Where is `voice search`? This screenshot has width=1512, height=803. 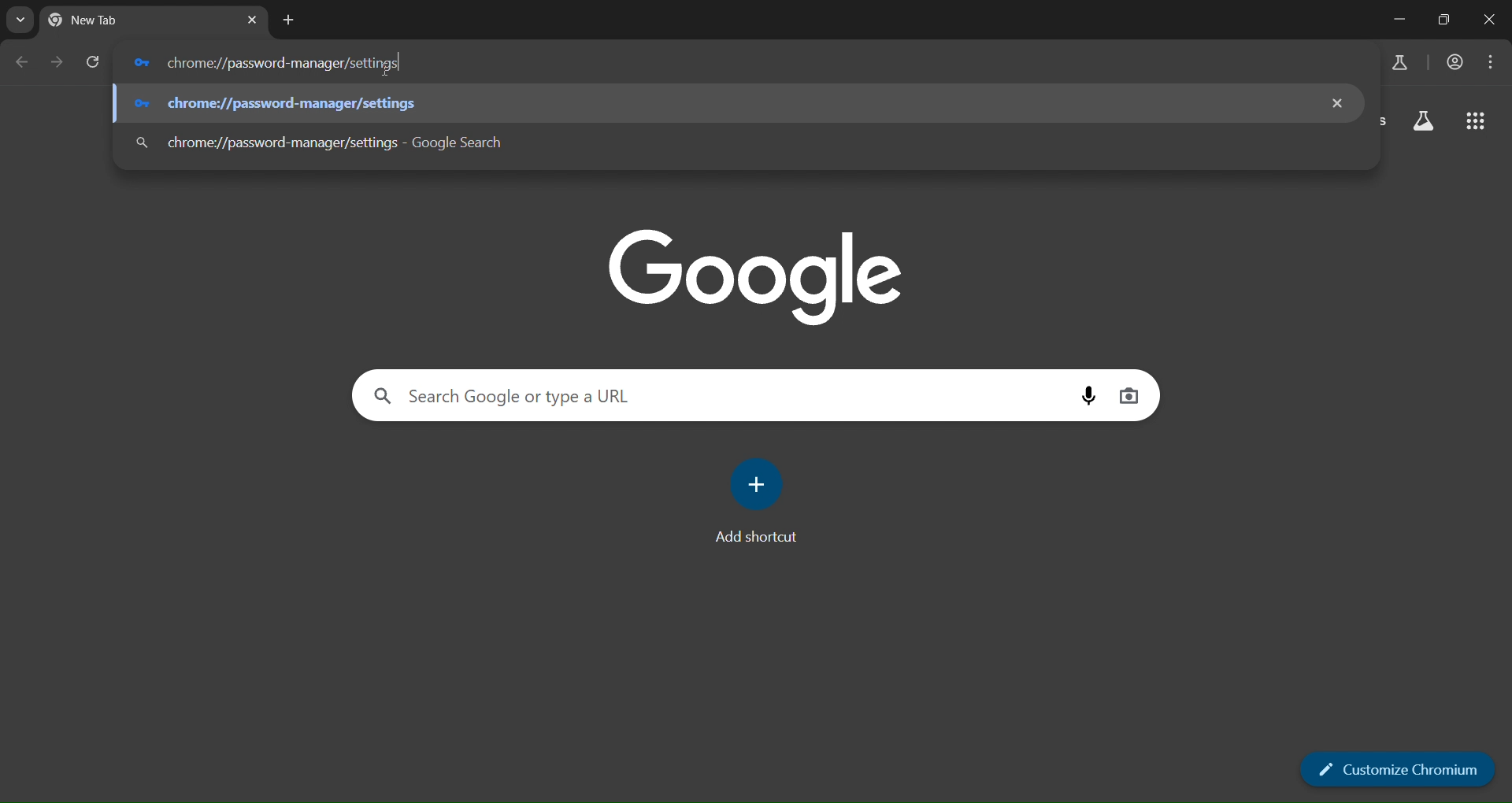 voice search is located at coordinates (1091, 396).